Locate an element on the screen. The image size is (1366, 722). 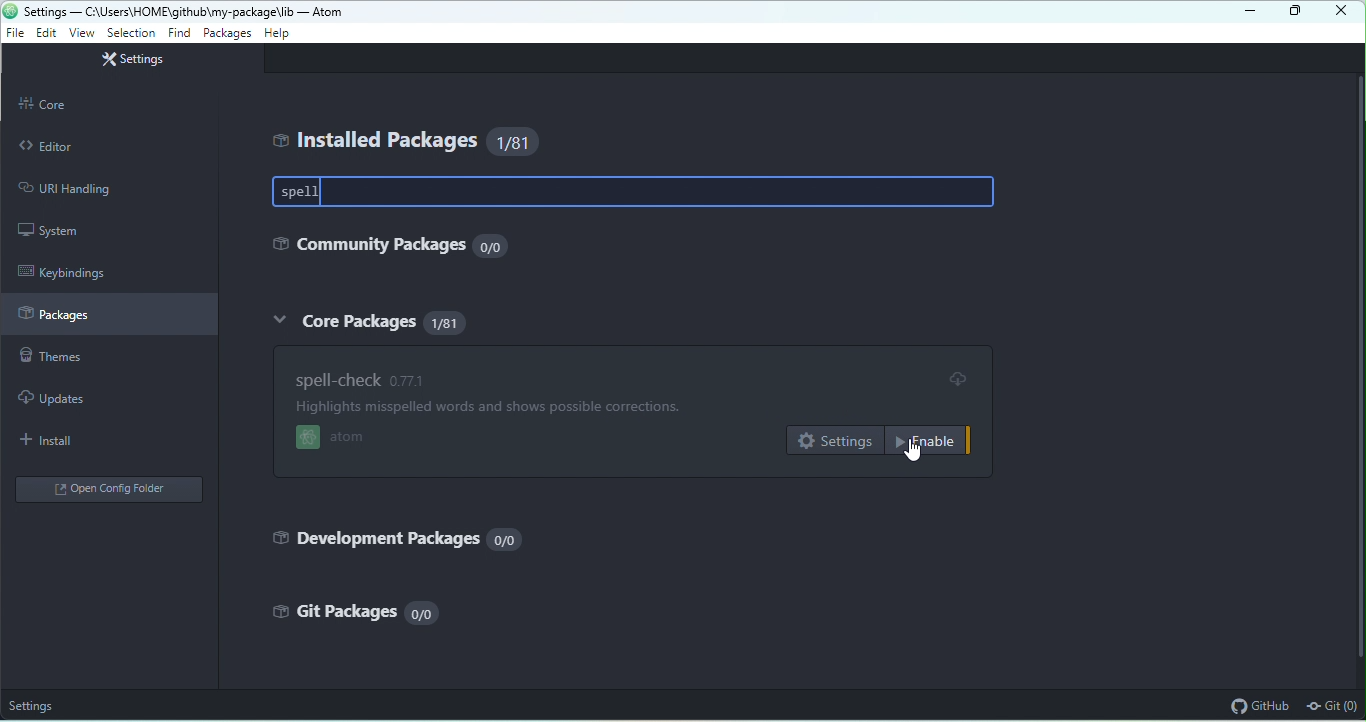
keybindings is located at coordinates (72, 272).